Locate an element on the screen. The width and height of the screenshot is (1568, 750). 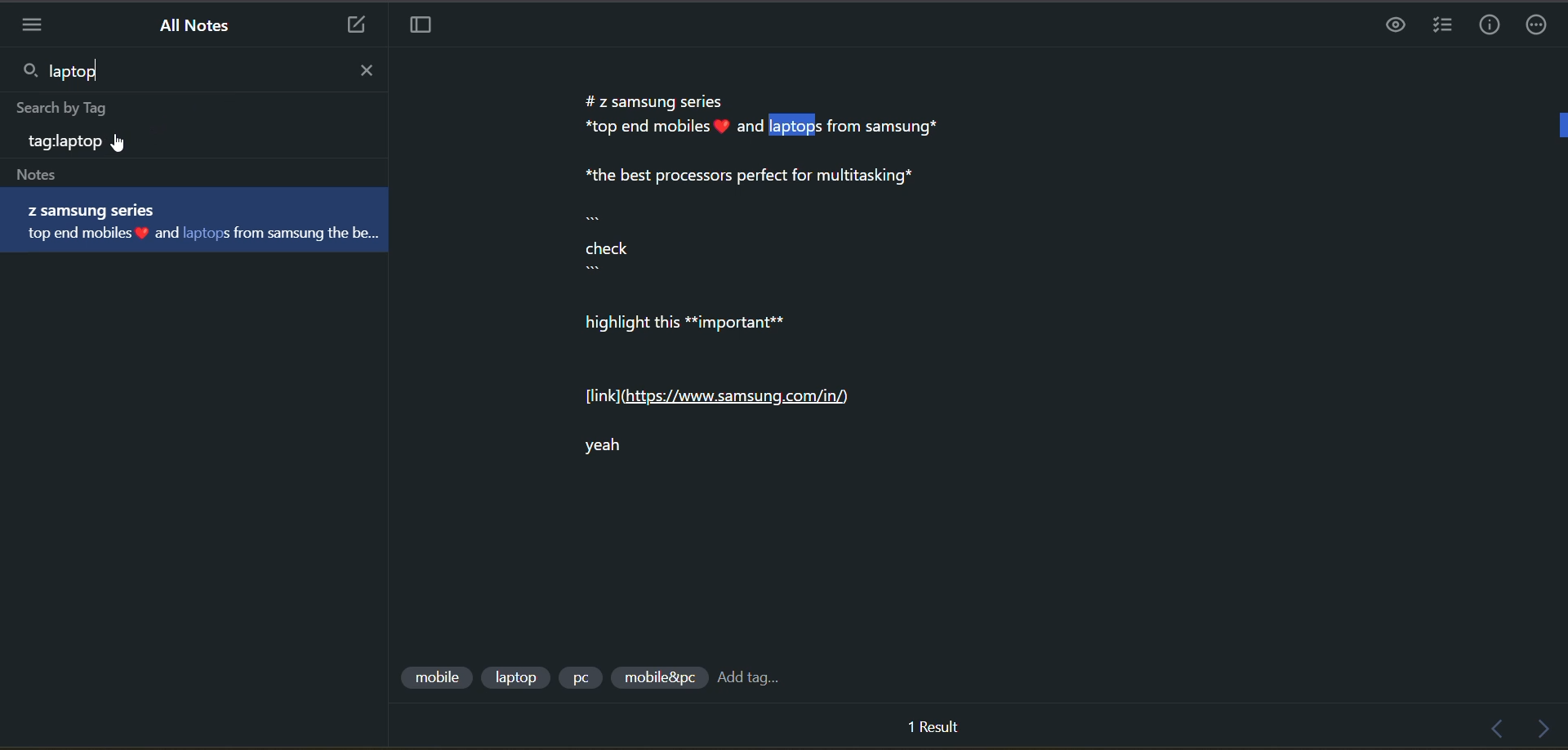
mobile&pc is located at coordinates (658, 680).